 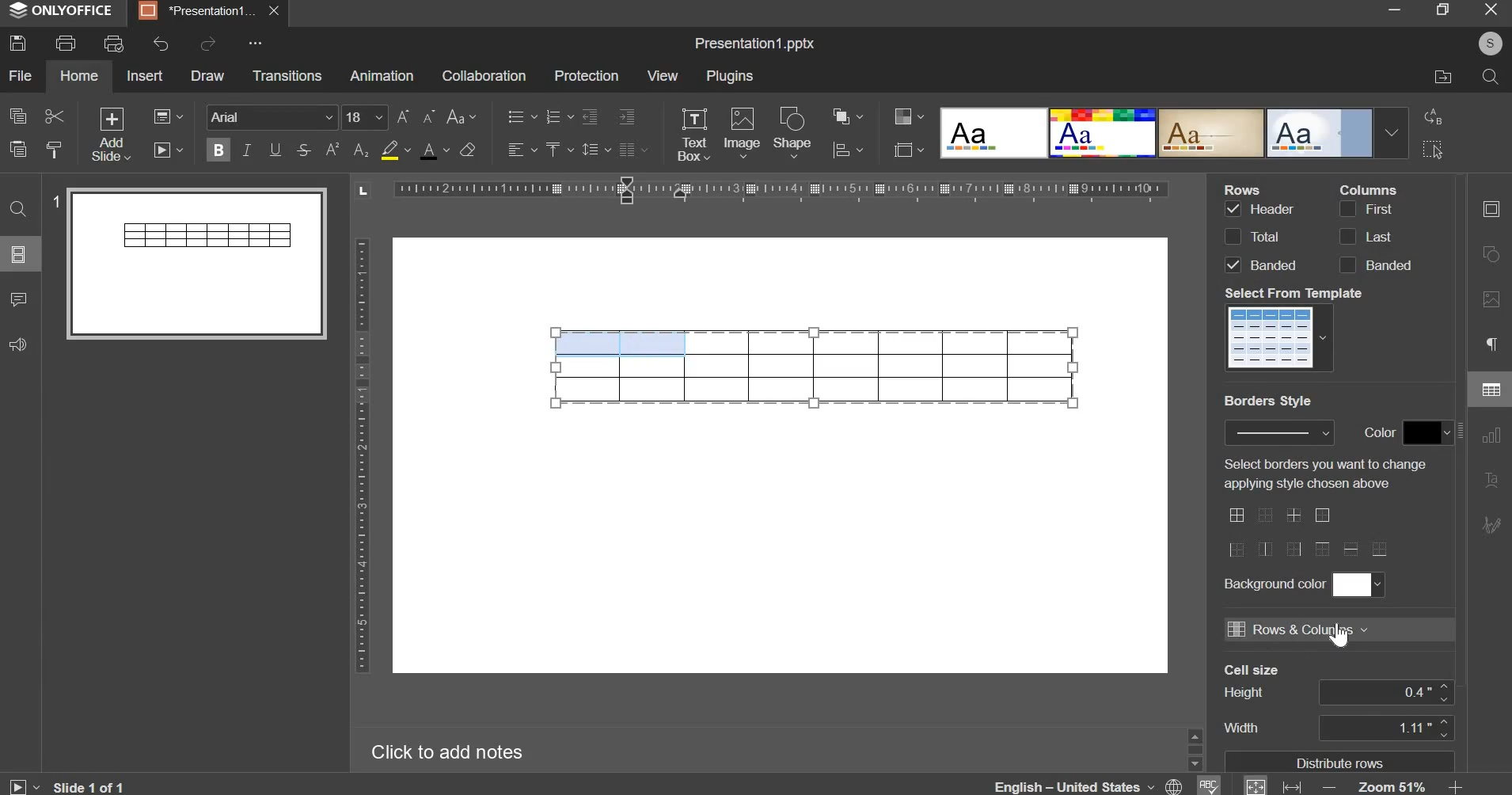 I want to click on decrease indent, so click(x=589, y=116).